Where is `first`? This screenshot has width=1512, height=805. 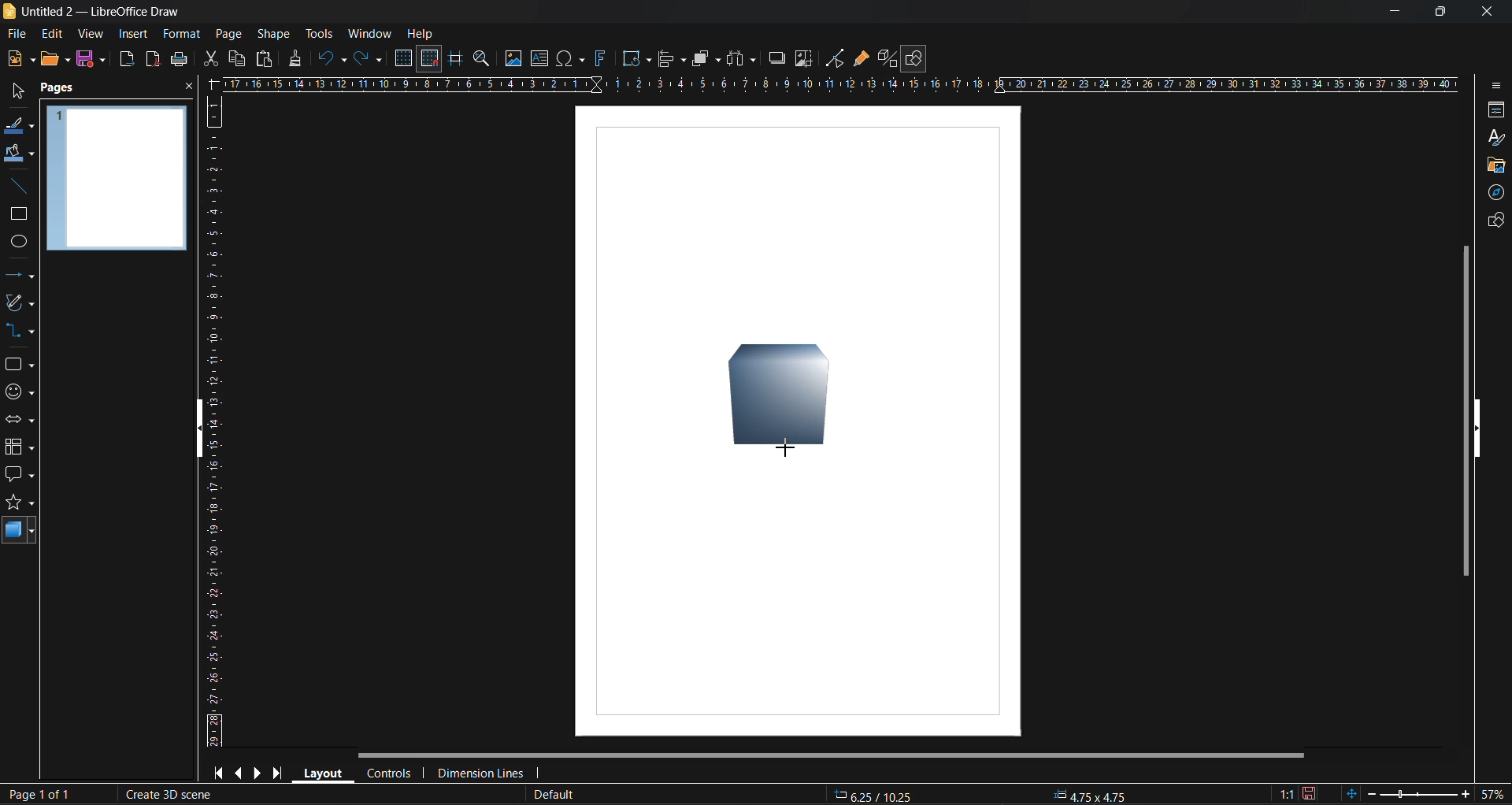 first is located at coordinates (222, 773).